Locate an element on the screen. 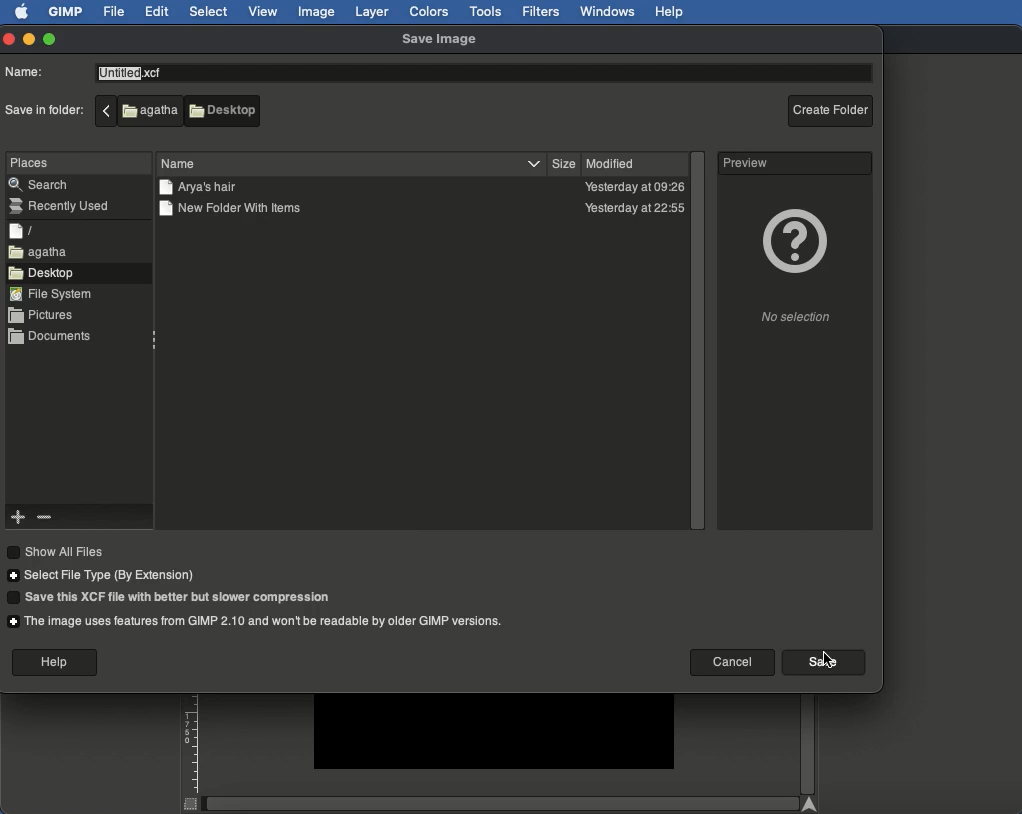 The width and height of the screenshot is (1022, 814). scale is located at coordinates (191, 753).